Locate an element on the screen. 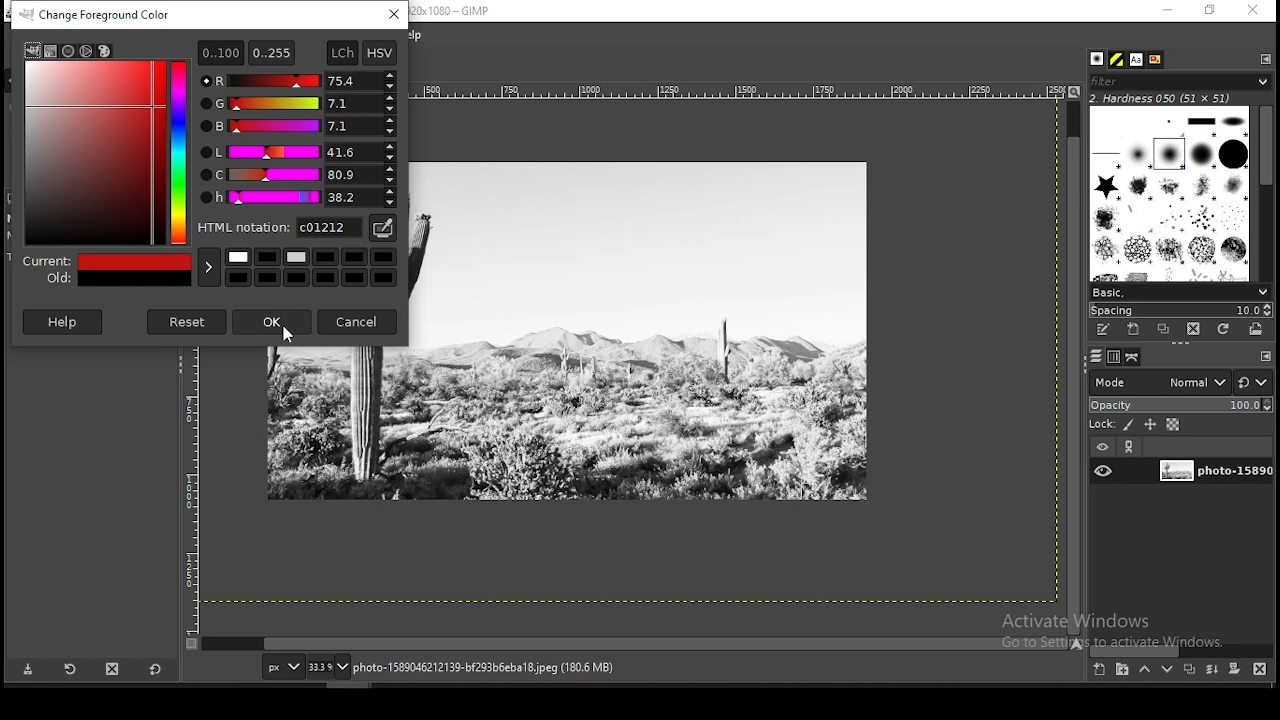 Image resolution: width=1280 pixels, height=720 pixels. red is located at coordinates (297, 79).